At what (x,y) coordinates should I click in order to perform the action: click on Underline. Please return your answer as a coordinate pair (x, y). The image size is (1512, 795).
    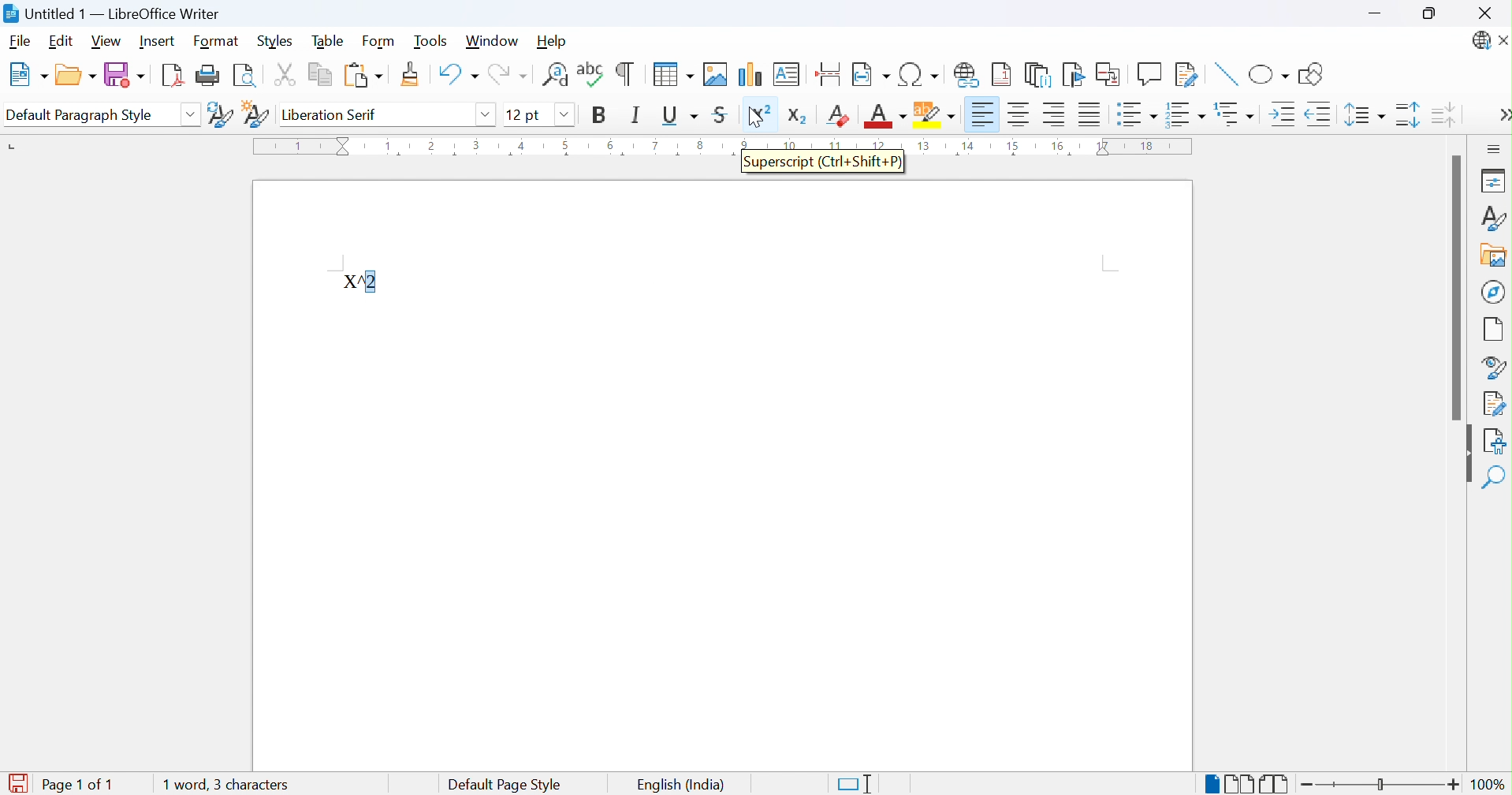
    Looking at the image, I should click on (679, 117).